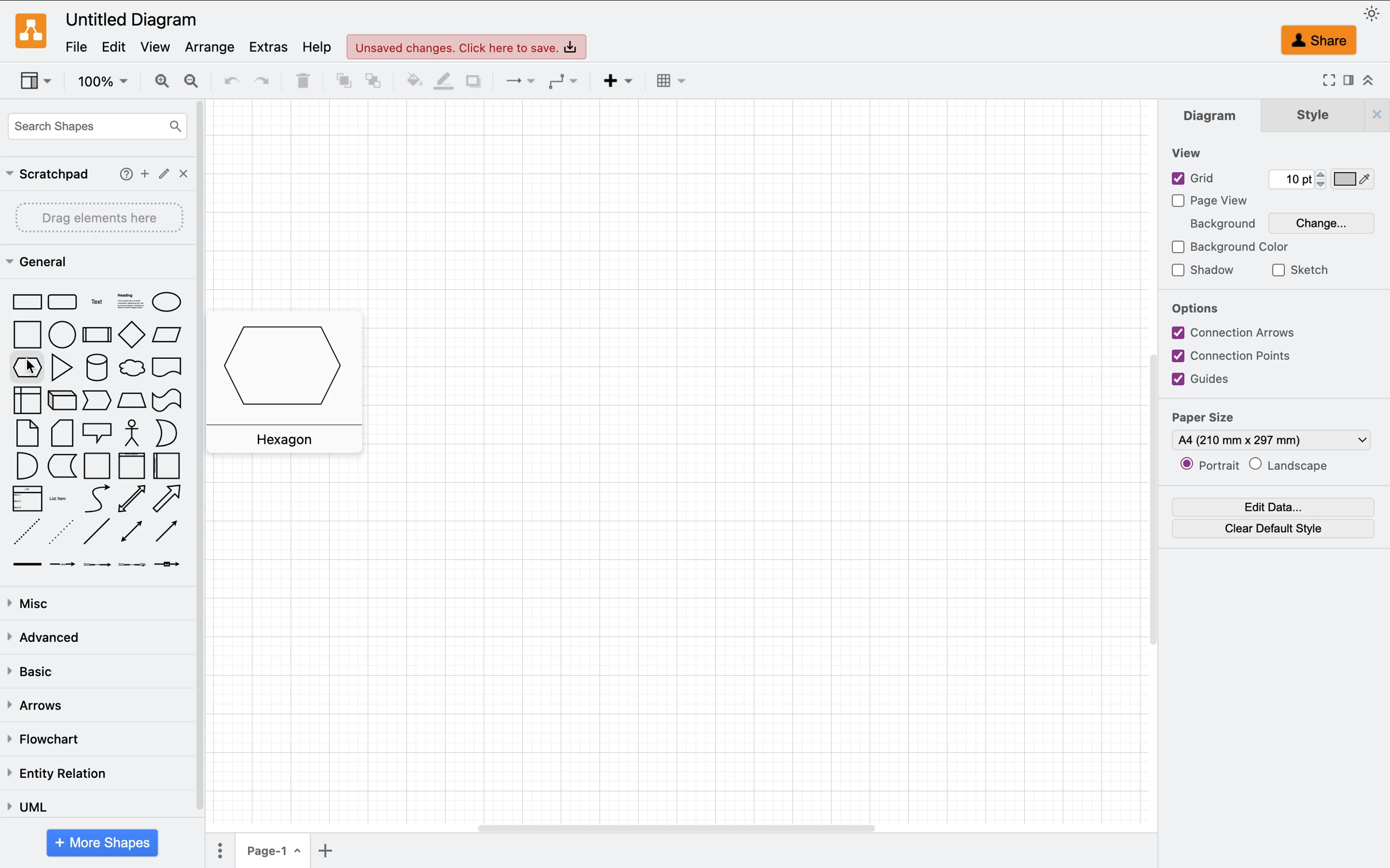  Describe the element at coordinates (33, 704) in the screenshot. I see `arrows` at that location.